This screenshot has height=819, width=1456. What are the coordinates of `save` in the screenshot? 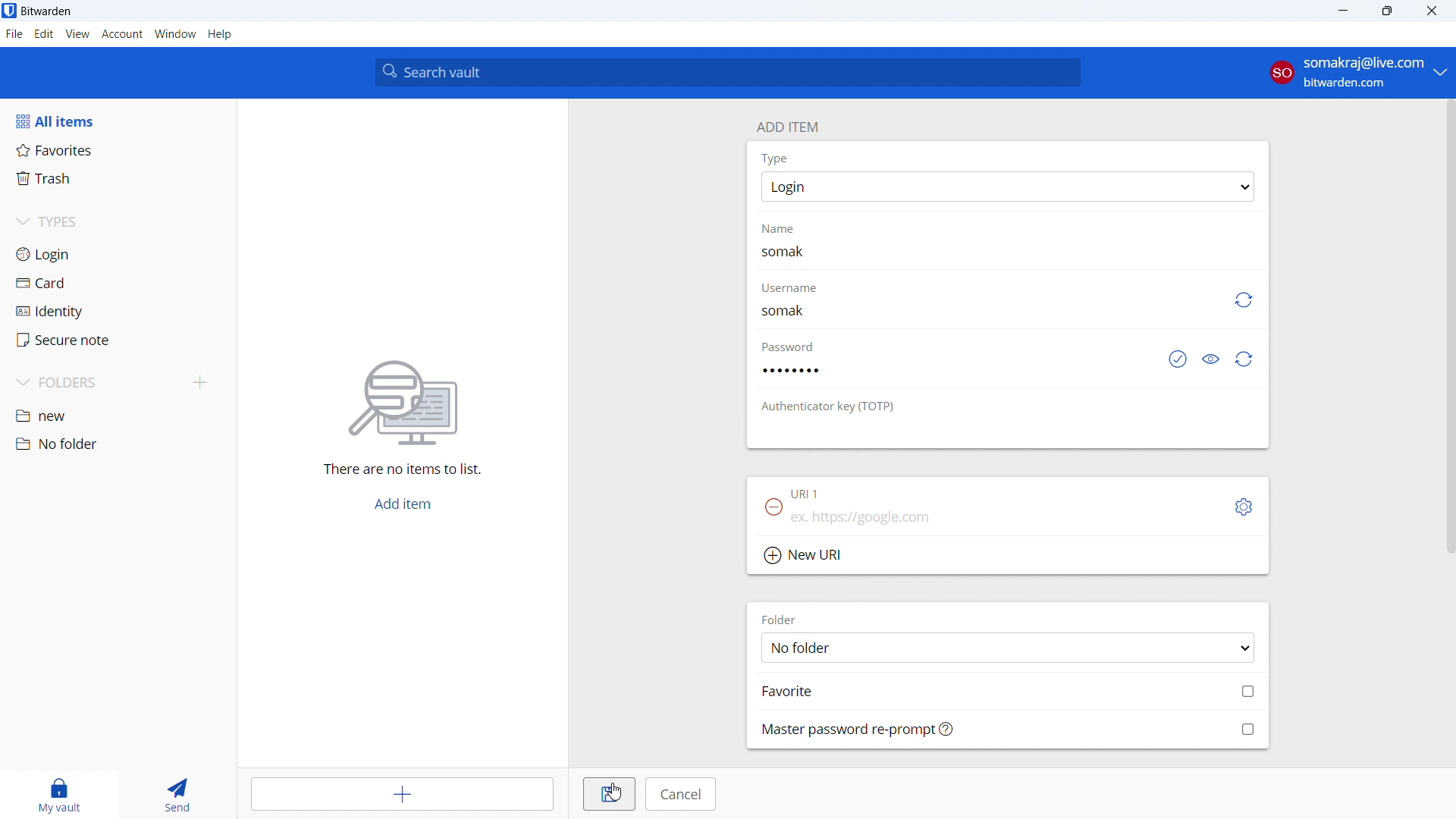 It's located at (610, 794).